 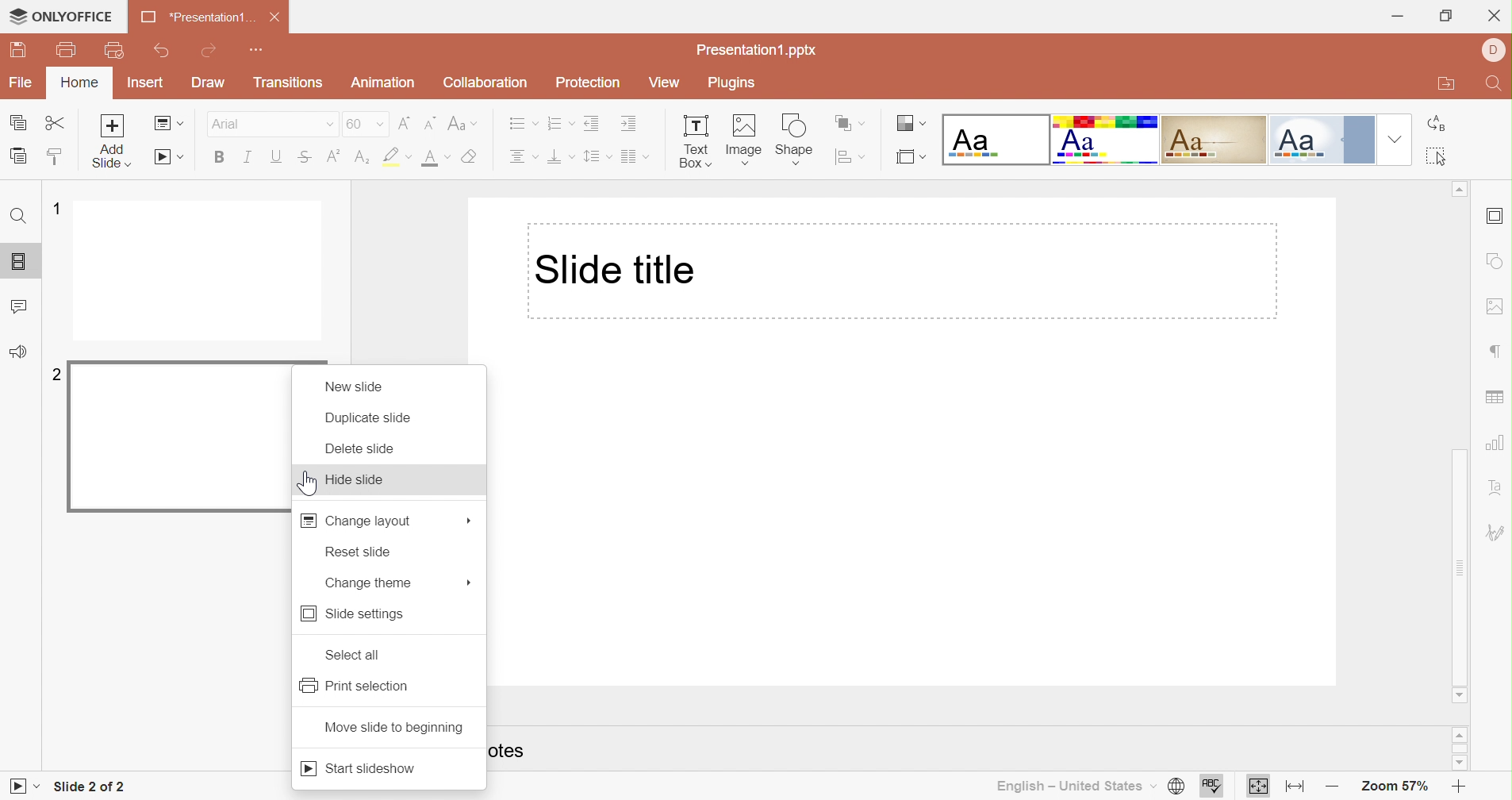 What do you see at coordinates (635, 157) in the screenshot?
I see `Insert columns` at bounding box center [635, 157].